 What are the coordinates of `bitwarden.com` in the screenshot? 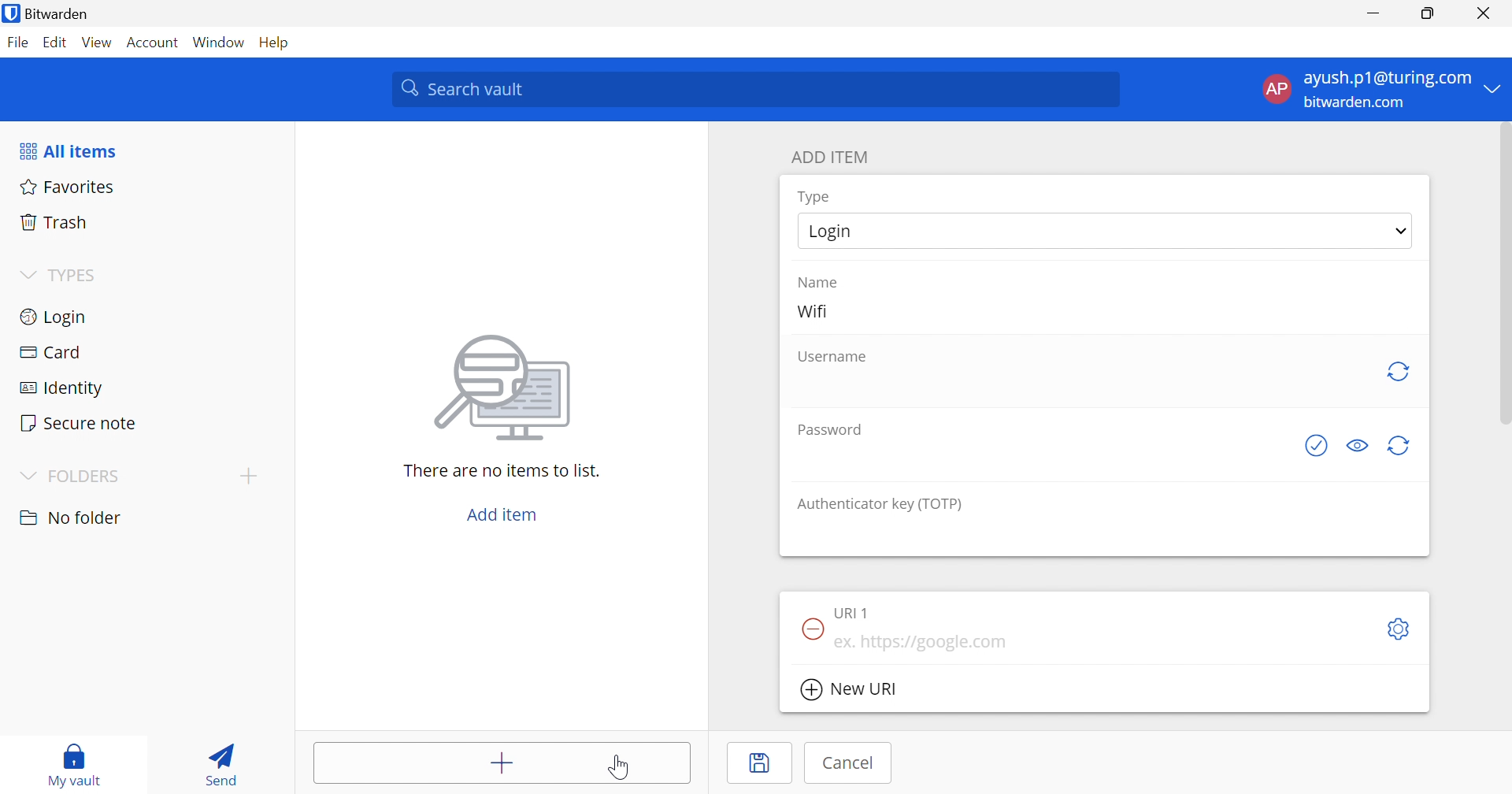 It's located at (1358, 103).